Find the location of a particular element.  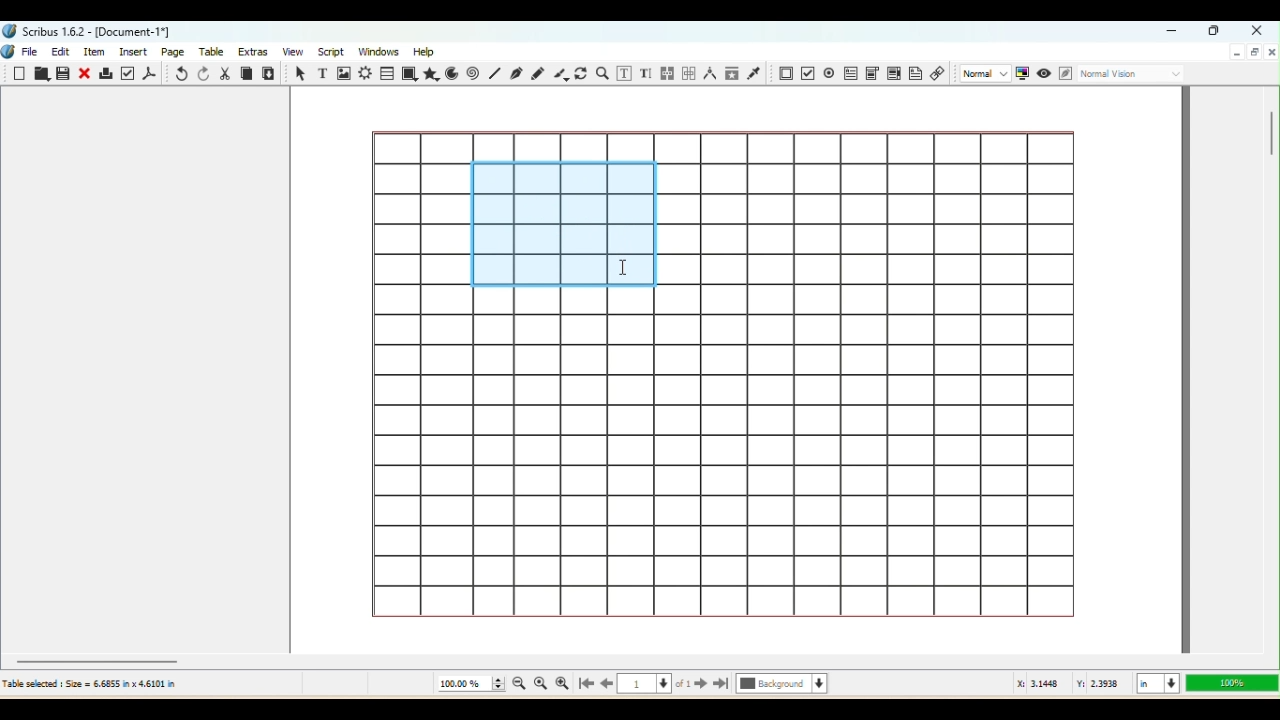

Zoom out is located at coordinates (516, 686).